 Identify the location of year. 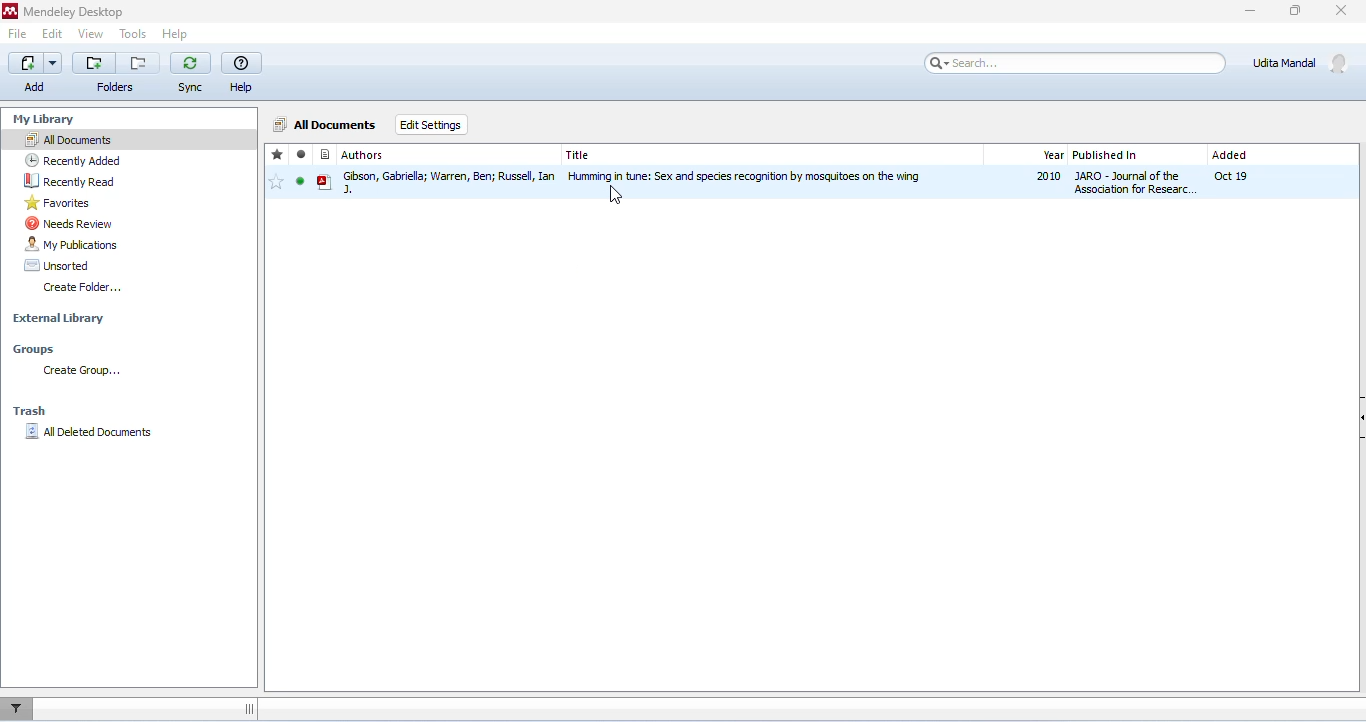
(1051, 154).